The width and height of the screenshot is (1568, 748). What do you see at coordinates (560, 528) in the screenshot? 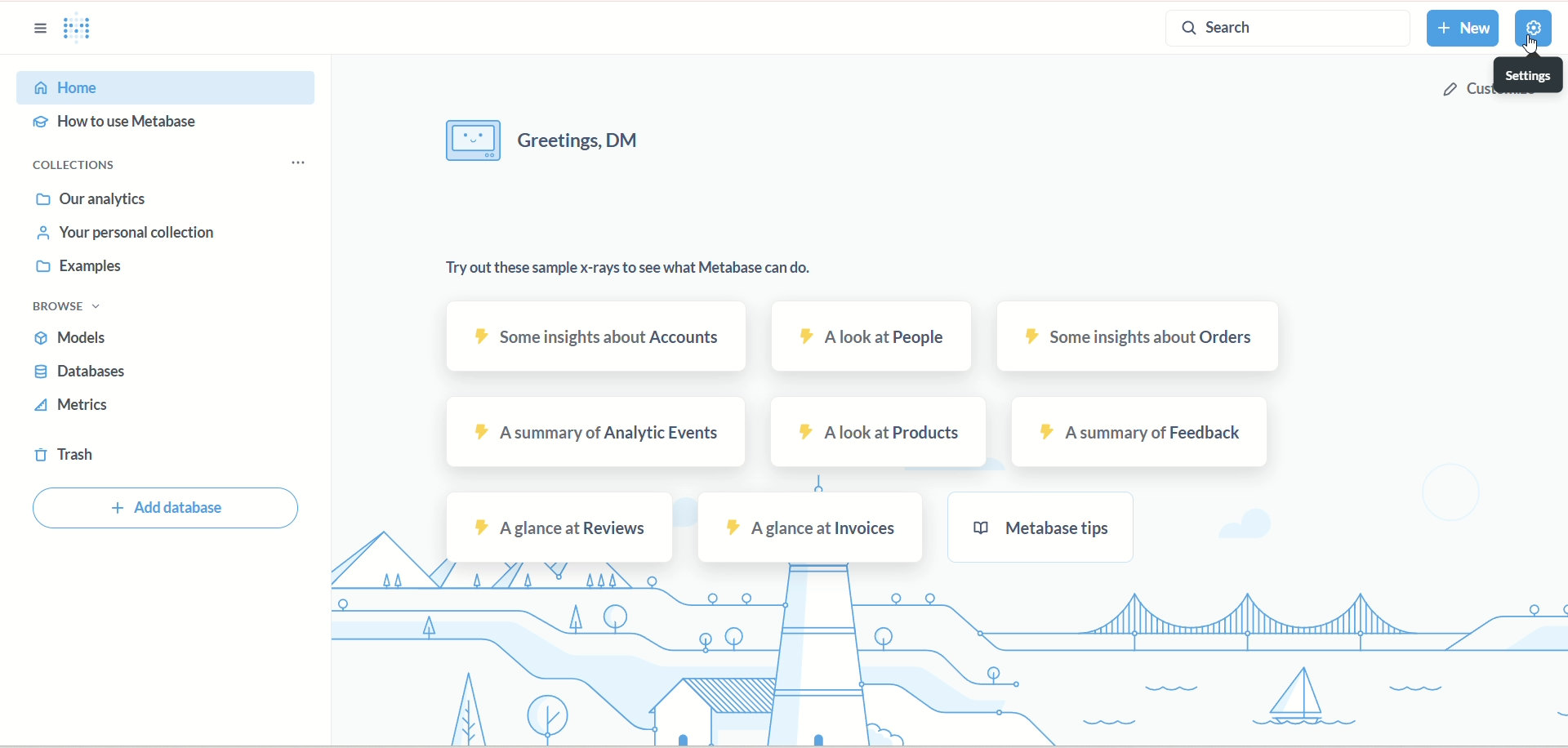
I see `A glance at reviews` at bounding box center [560, 528].